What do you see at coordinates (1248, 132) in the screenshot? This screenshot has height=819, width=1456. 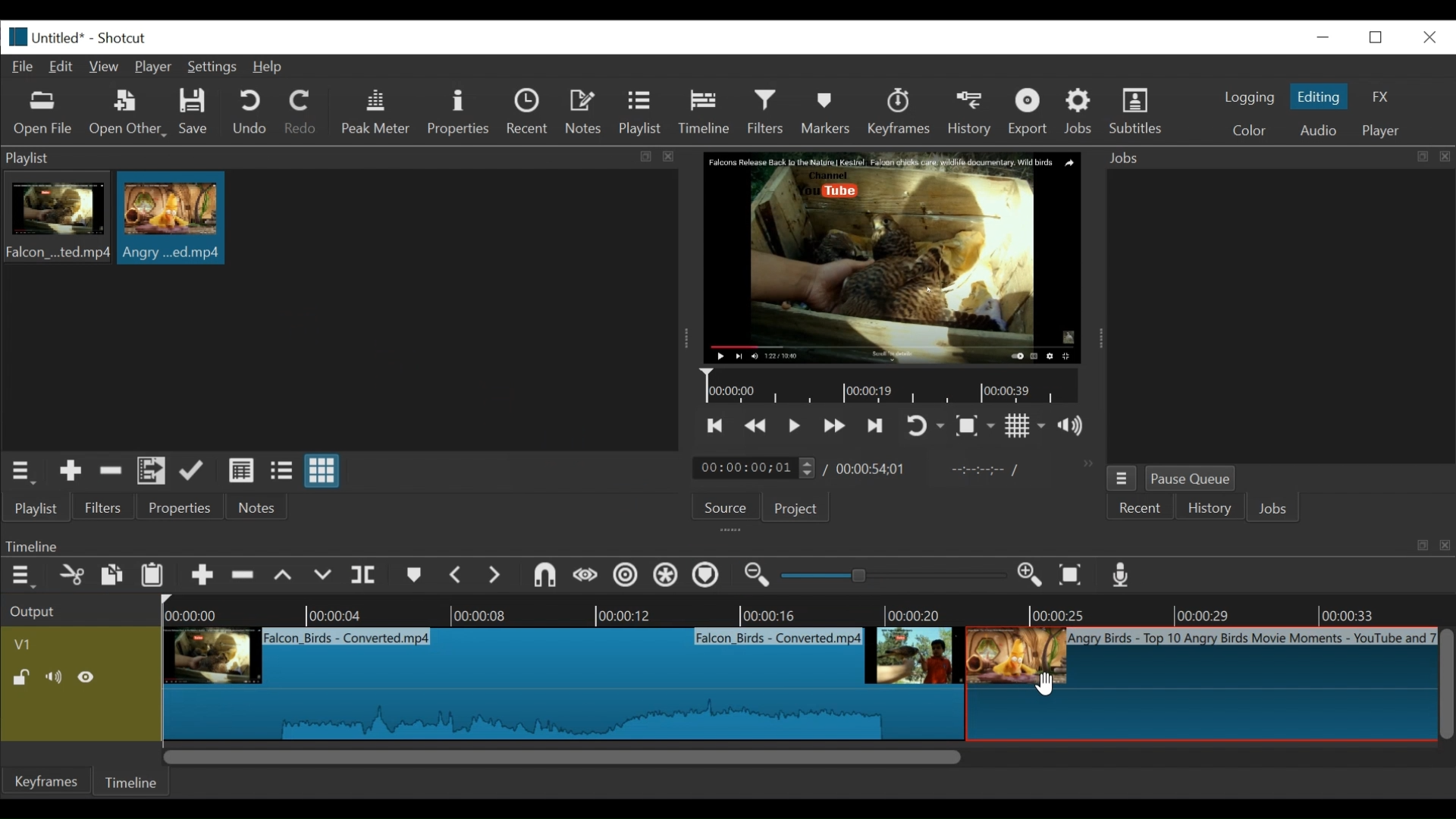 I see `color` at bounding box center [1248, 132].